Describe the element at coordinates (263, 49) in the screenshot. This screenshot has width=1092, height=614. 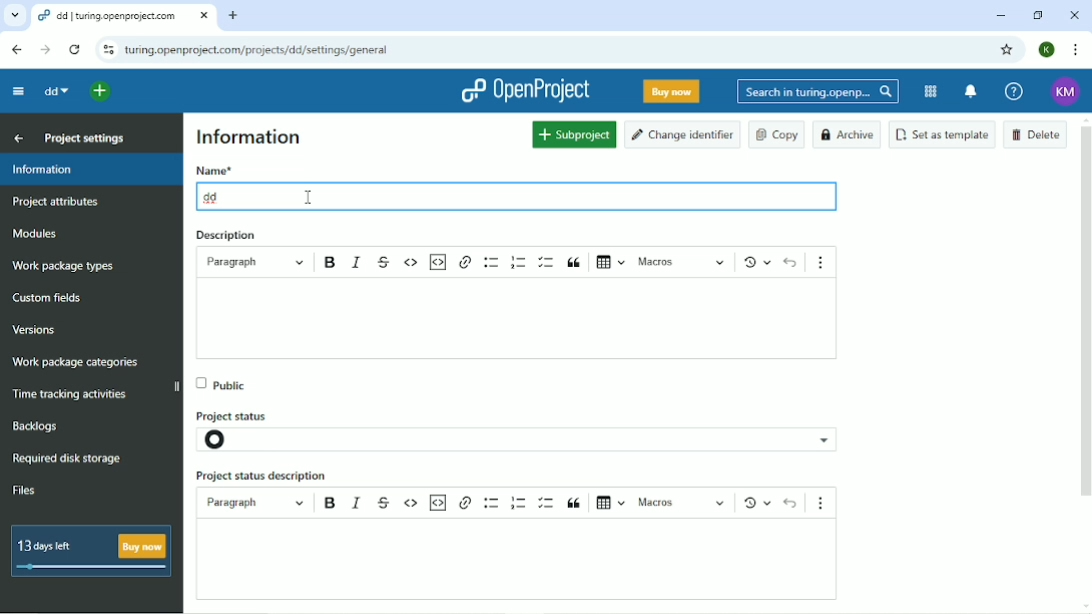
I see `turing.openprojects.com/projects/dd/settings/general` at that location.